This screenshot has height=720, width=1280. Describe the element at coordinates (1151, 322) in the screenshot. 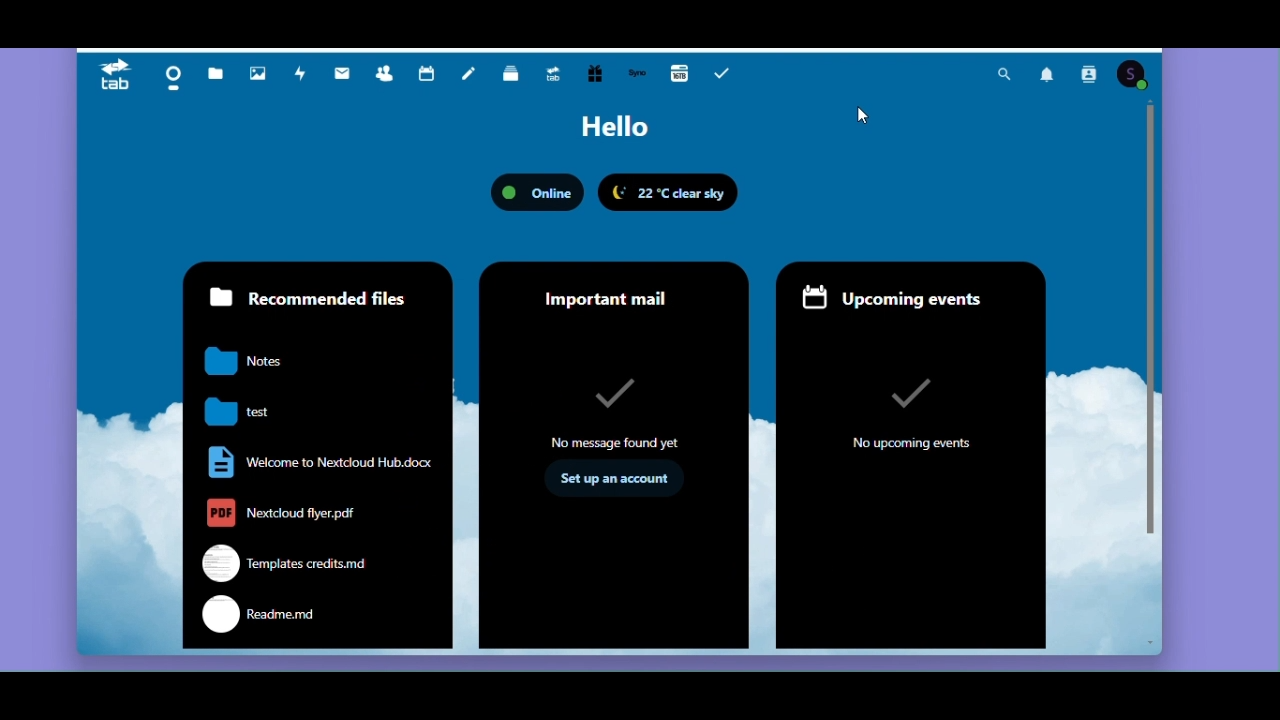

I see `Vertical scrollbar` at that location.